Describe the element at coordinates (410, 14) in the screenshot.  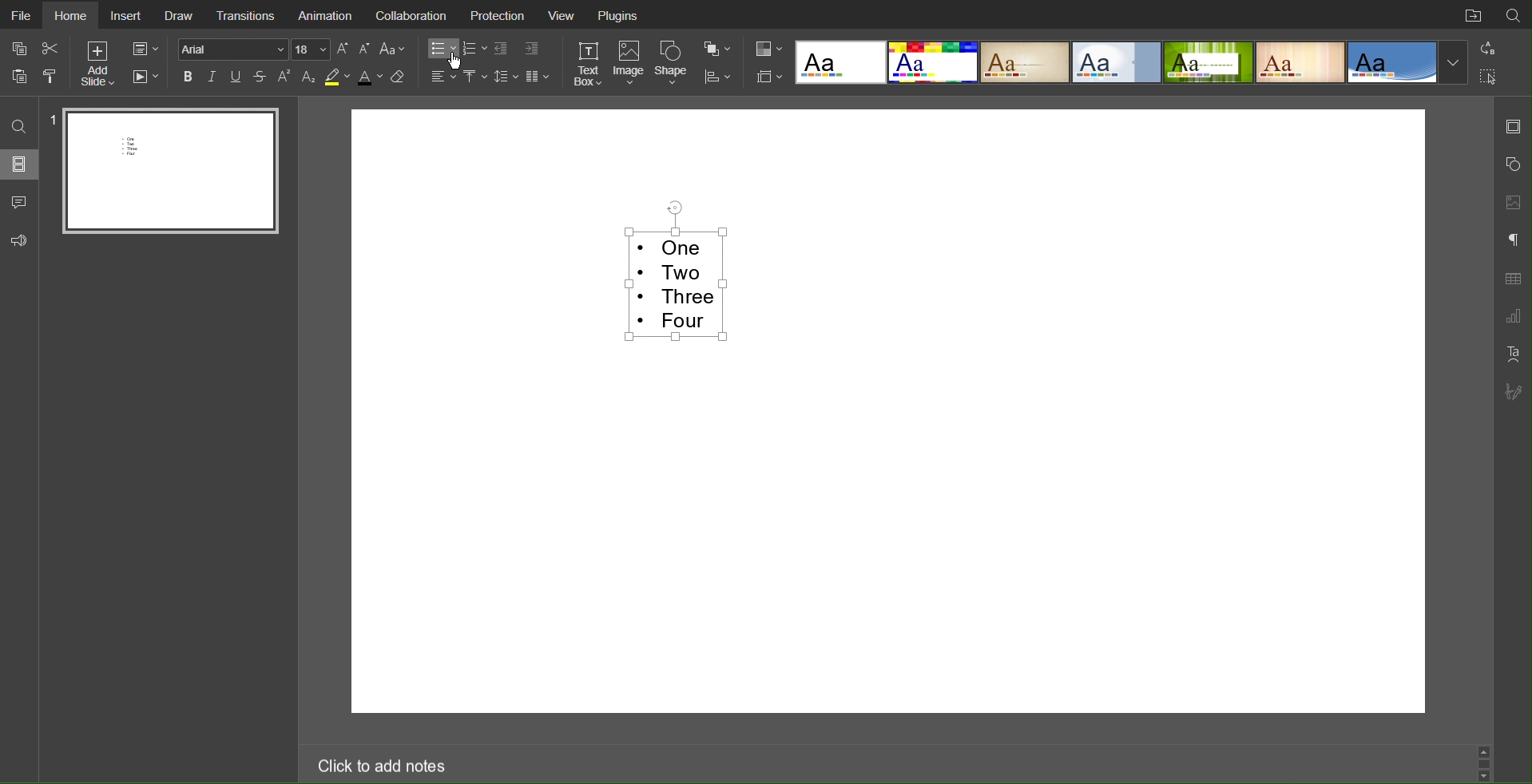
I see `Collaboration` at that location.